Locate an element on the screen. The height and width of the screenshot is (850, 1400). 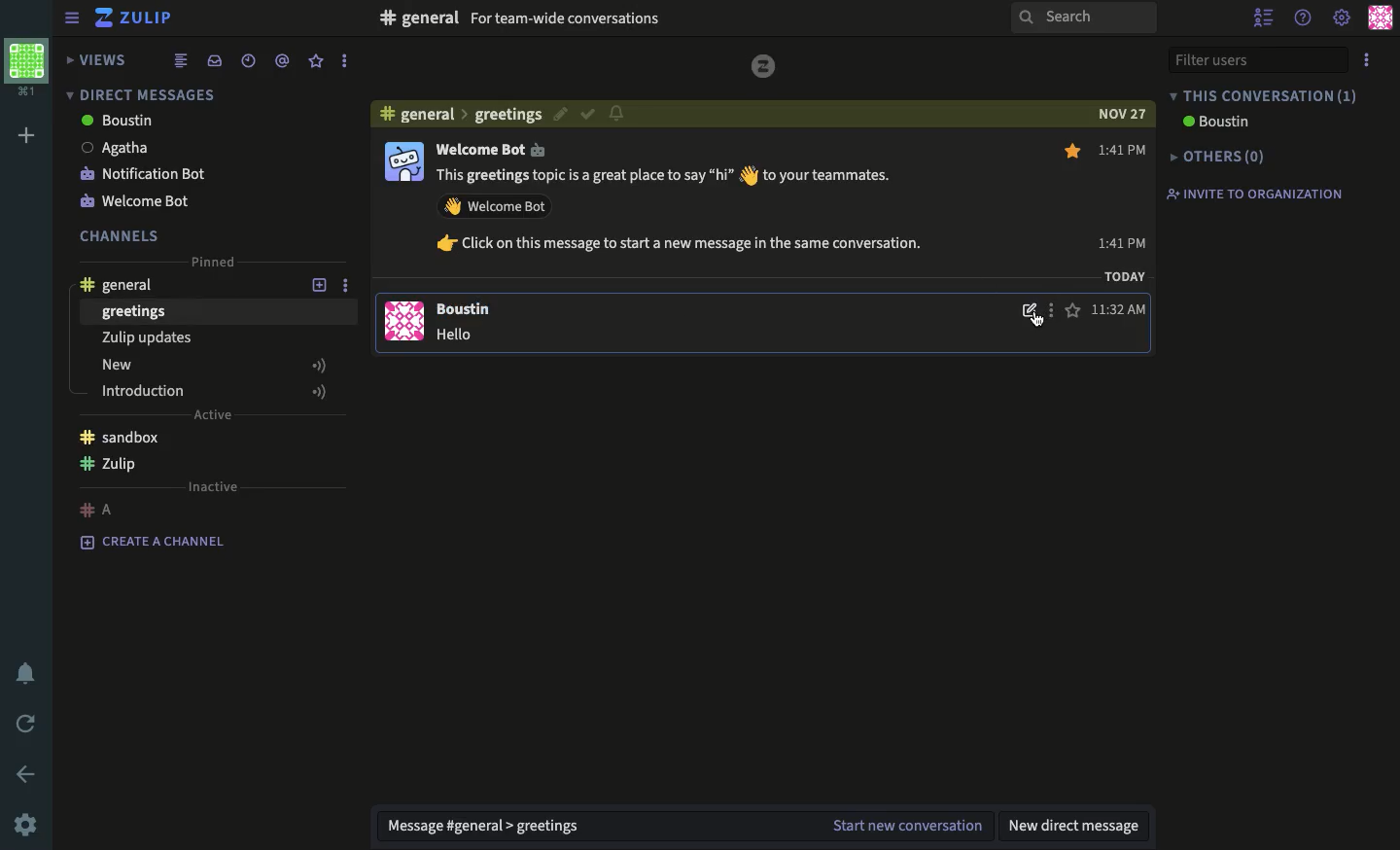
mention is located at coordinates (283, 60).